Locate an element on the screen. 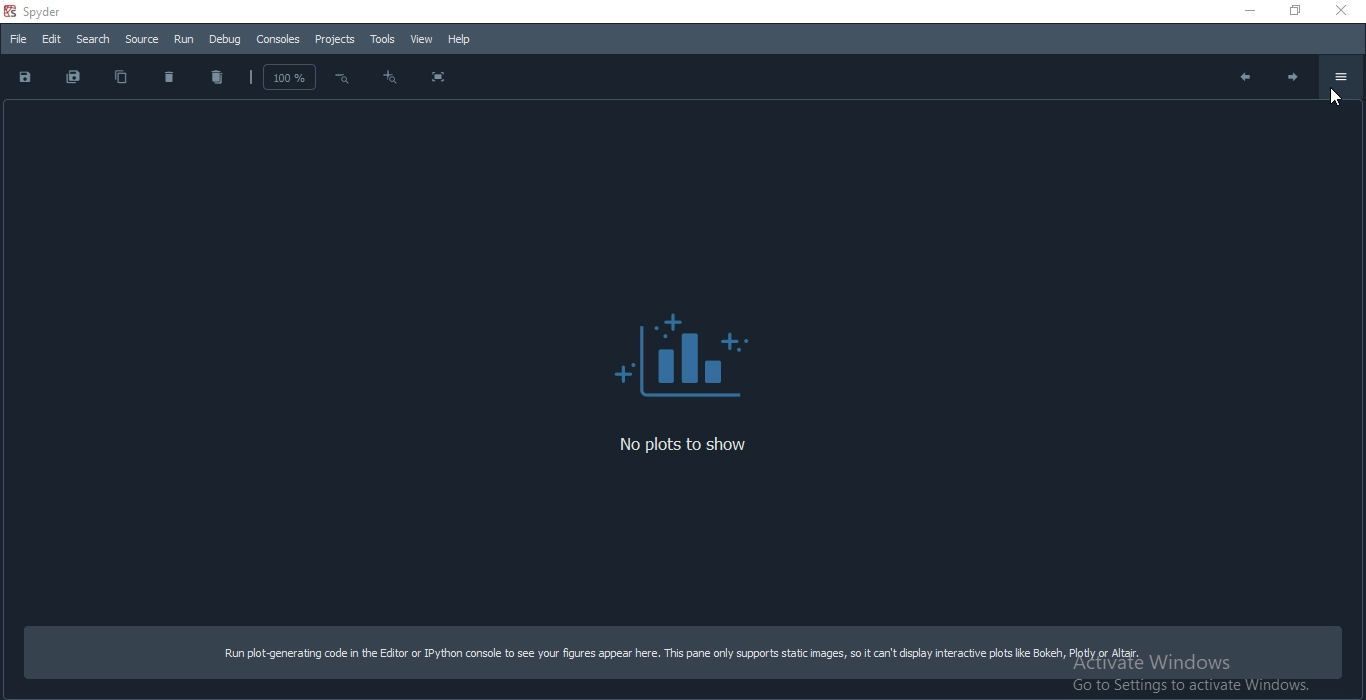 This screenshot has width=1366, height=700. minimise is located at coordinates (1240, 9).